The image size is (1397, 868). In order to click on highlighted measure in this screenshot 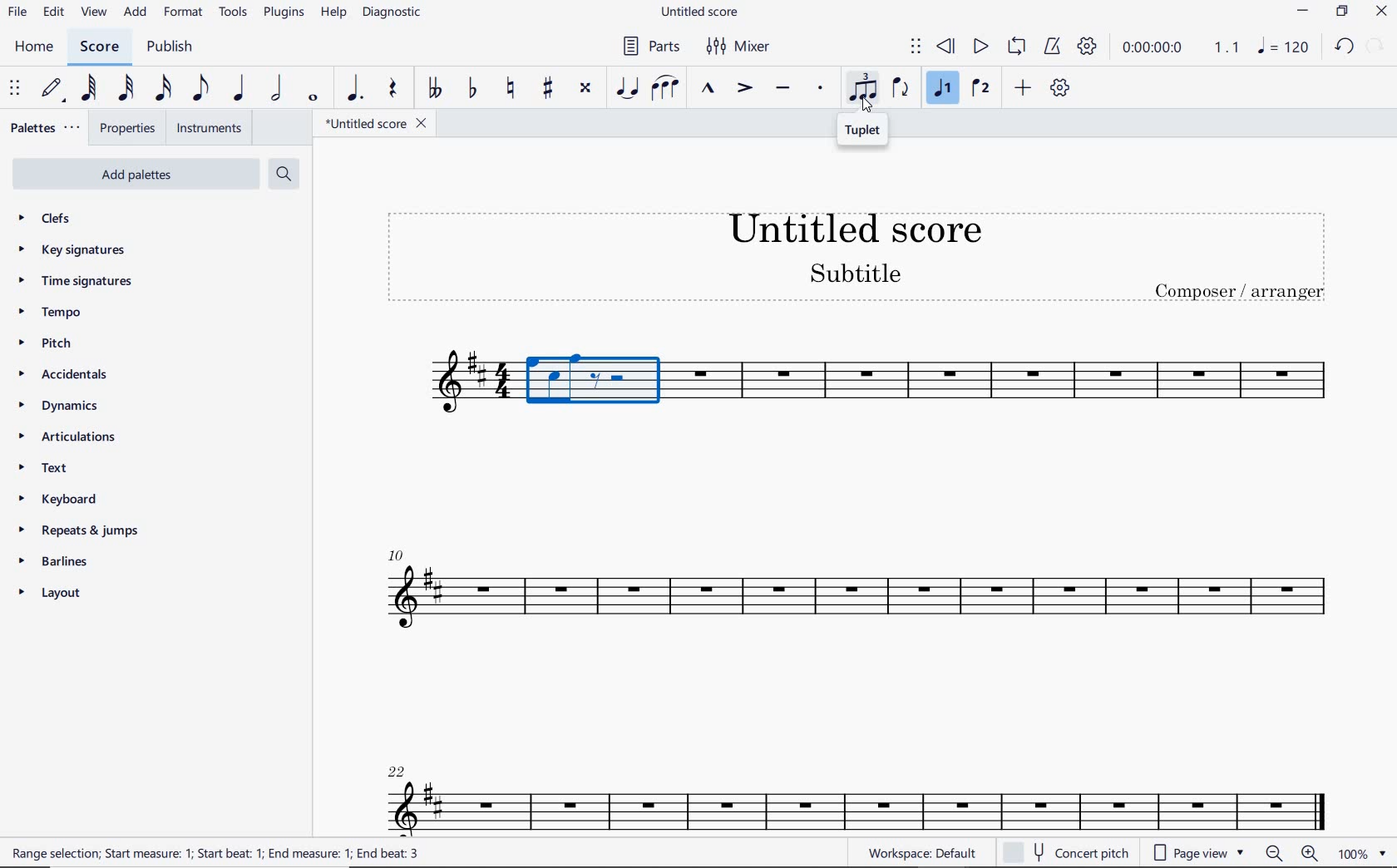, I will do `click(595, 387)`.